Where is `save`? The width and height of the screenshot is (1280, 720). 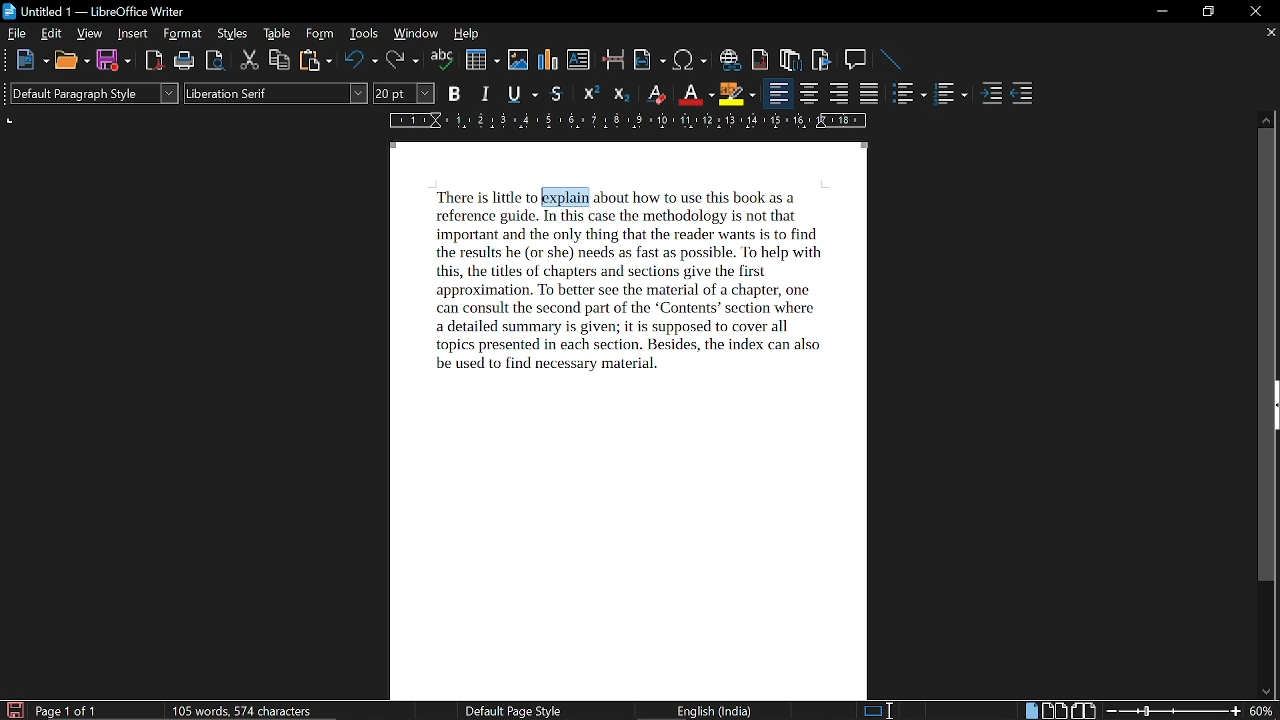
save is located at coordinates (114, 61).